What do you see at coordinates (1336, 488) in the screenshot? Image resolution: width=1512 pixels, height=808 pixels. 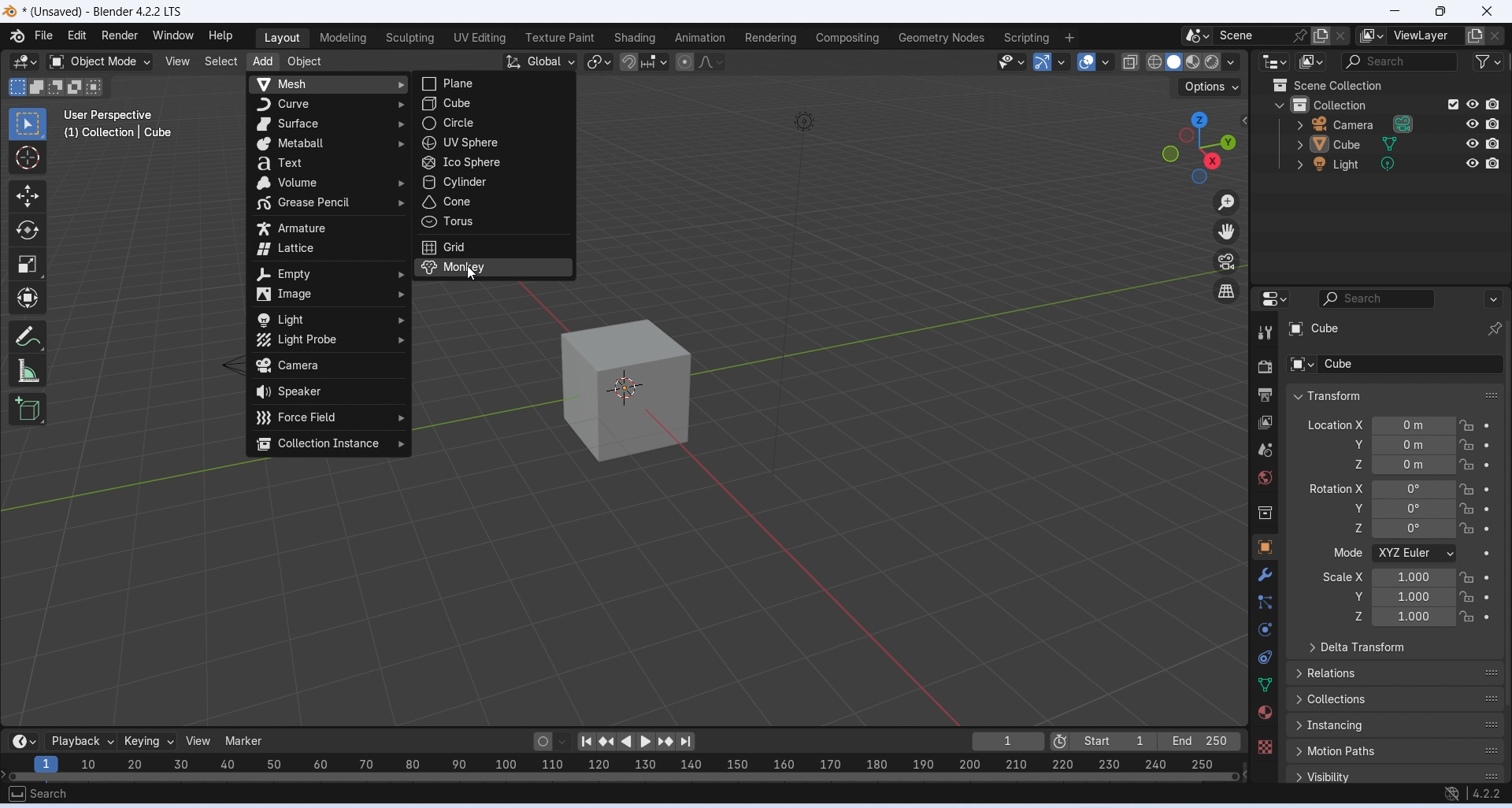 I see `rotation x` at bounding box center [1336, 488].